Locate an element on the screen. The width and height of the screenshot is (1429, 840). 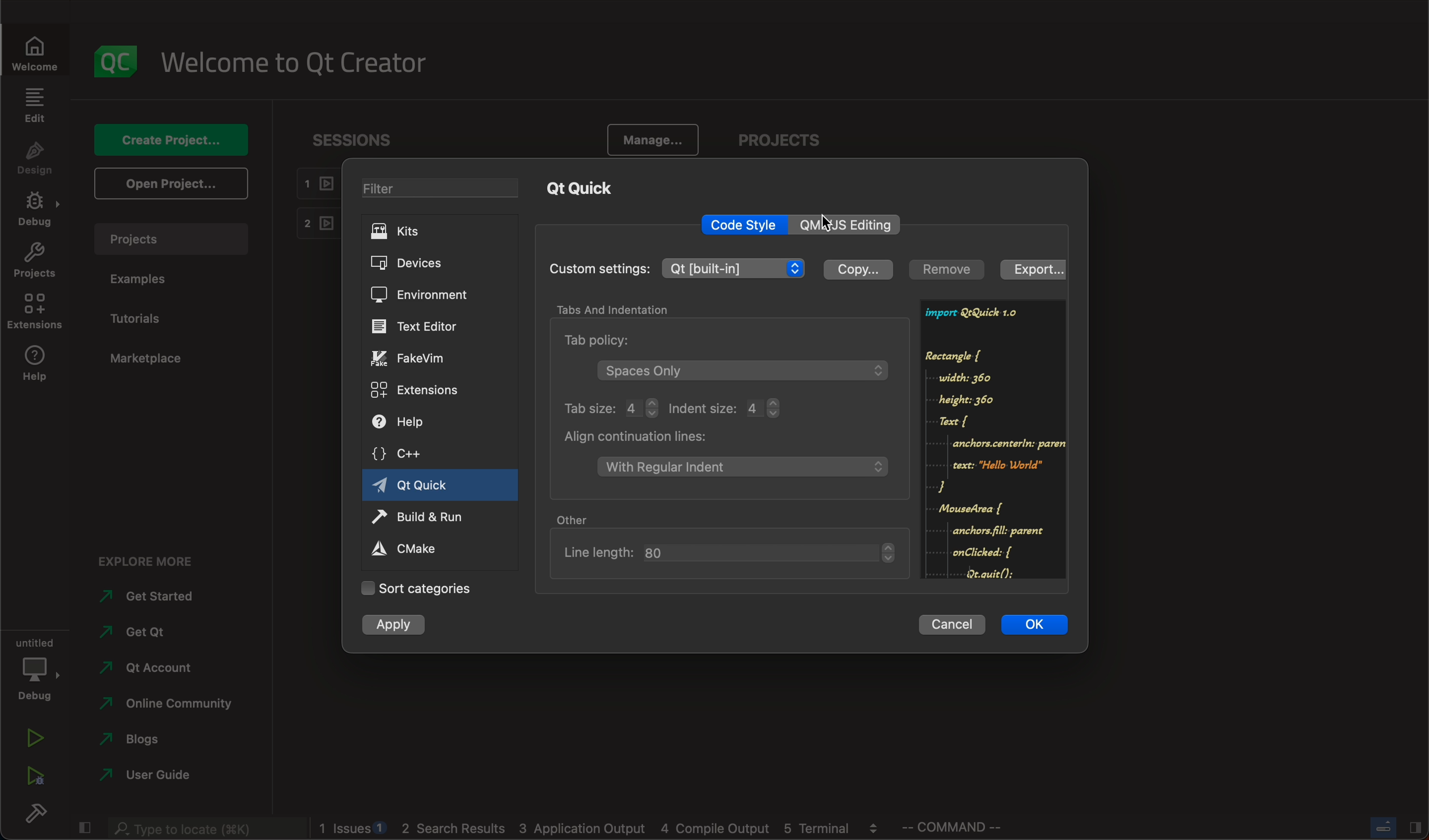
custom settings is located at coordinates (683, 268).